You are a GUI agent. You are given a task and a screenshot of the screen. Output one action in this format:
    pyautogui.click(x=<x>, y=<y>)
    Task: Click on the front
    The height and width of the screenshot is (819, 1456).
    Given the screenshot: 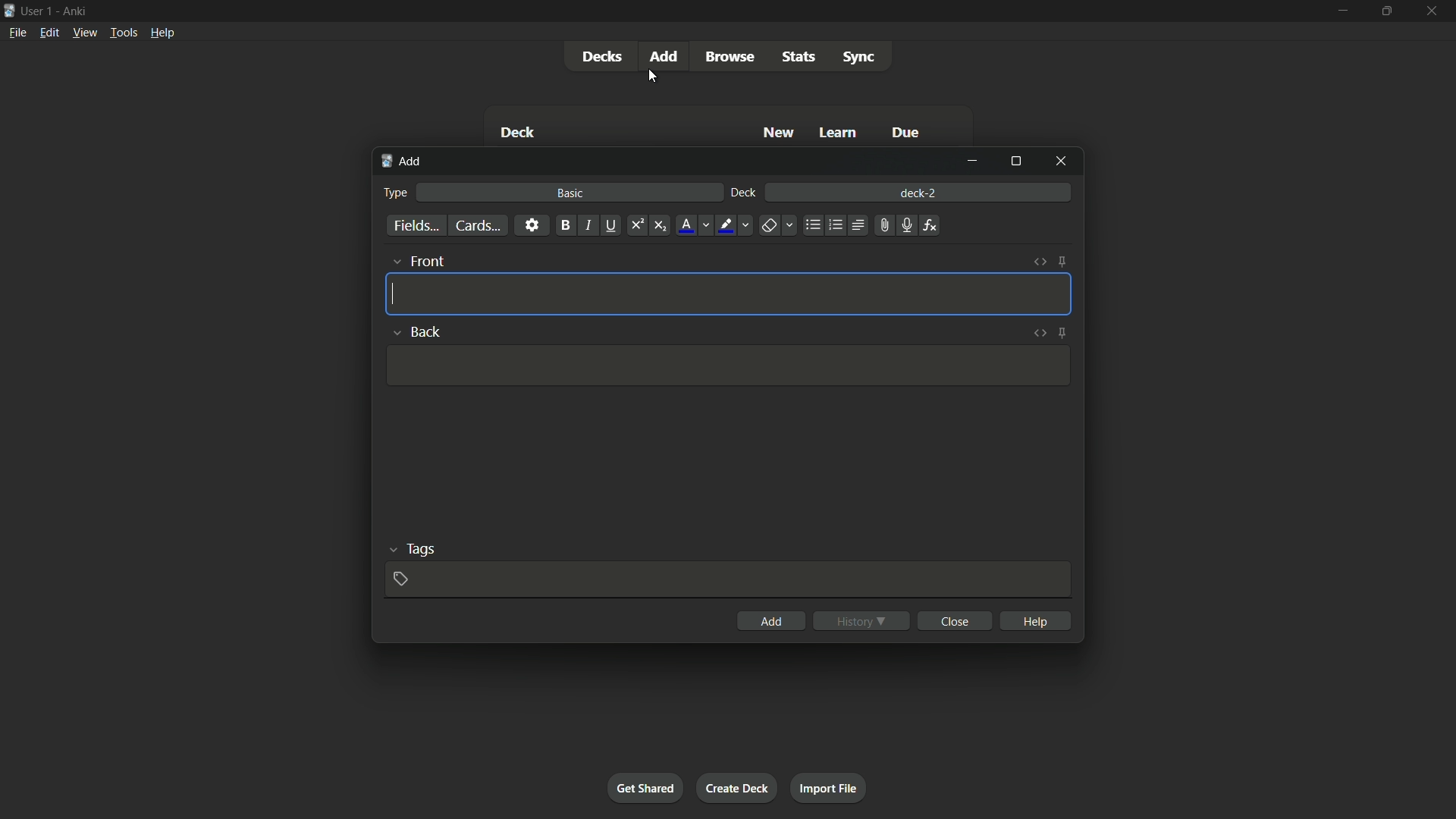 What is the action you would take?
    pyautogui.click(x=416, y=261)
    